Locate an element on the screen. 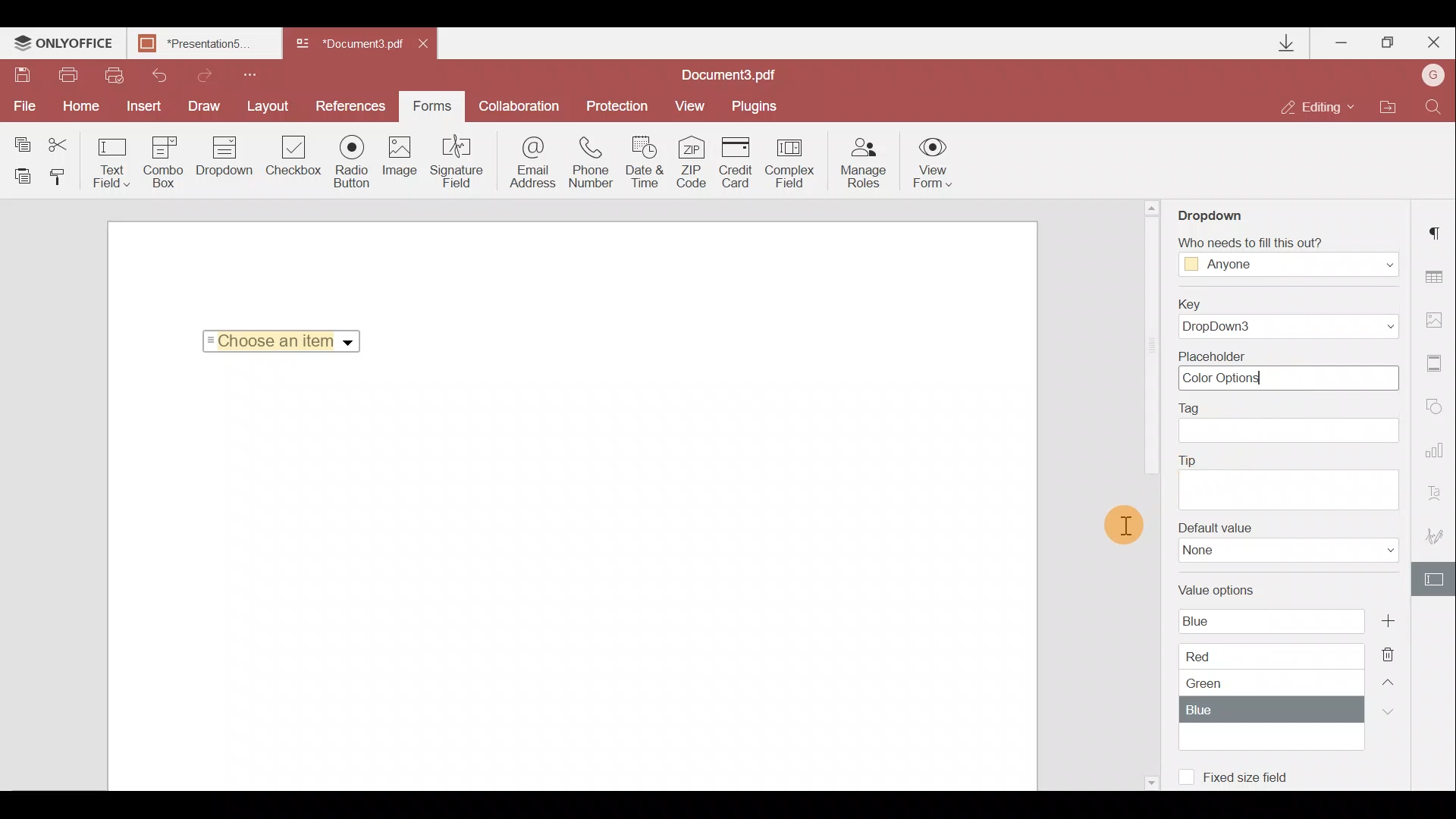  Close is located at coordinates (431, 47).